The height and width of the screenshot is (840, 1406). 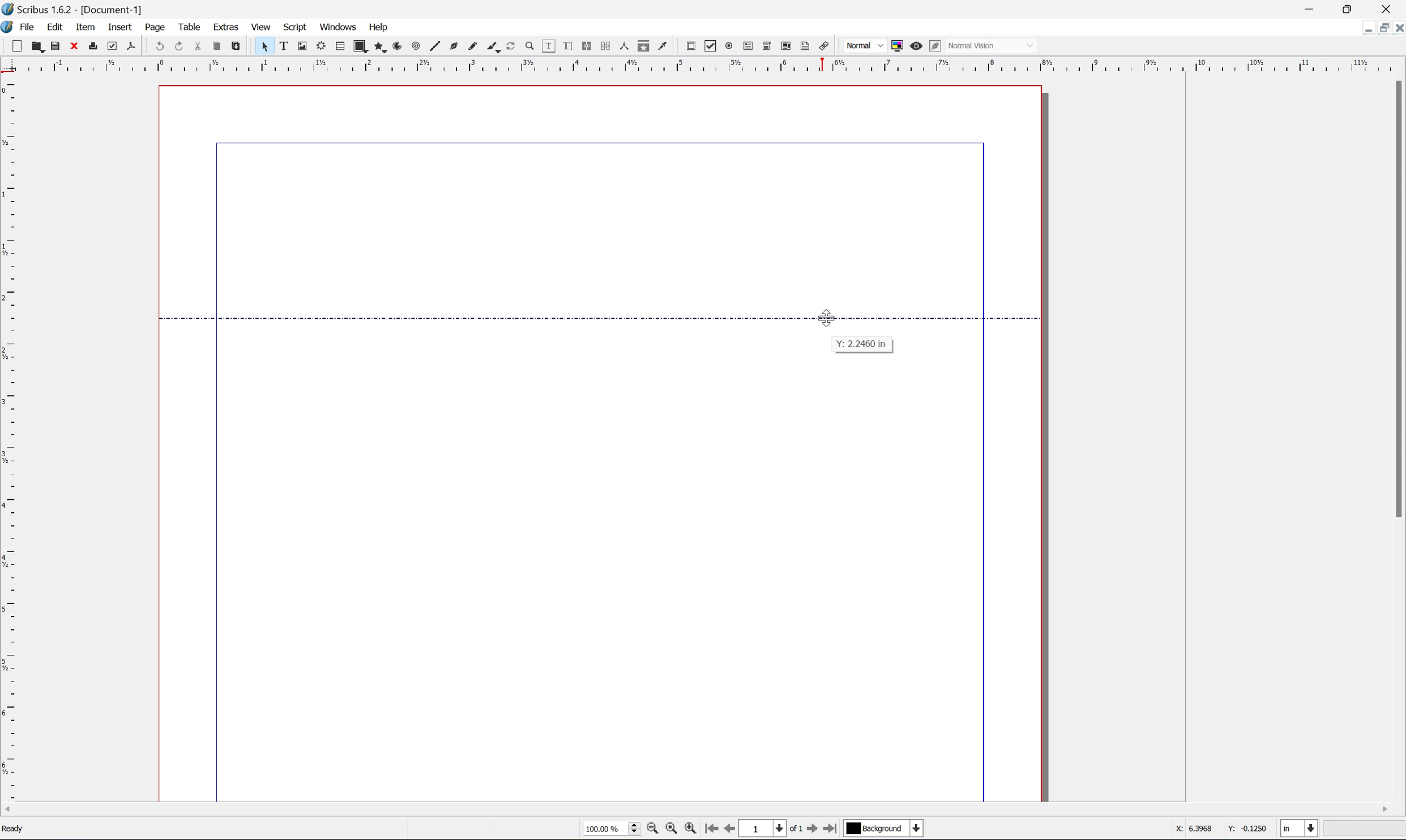 What do you see at coordinates (16, 831) in the screenshot?
I see `Ready` at bounding box center [16, 831].